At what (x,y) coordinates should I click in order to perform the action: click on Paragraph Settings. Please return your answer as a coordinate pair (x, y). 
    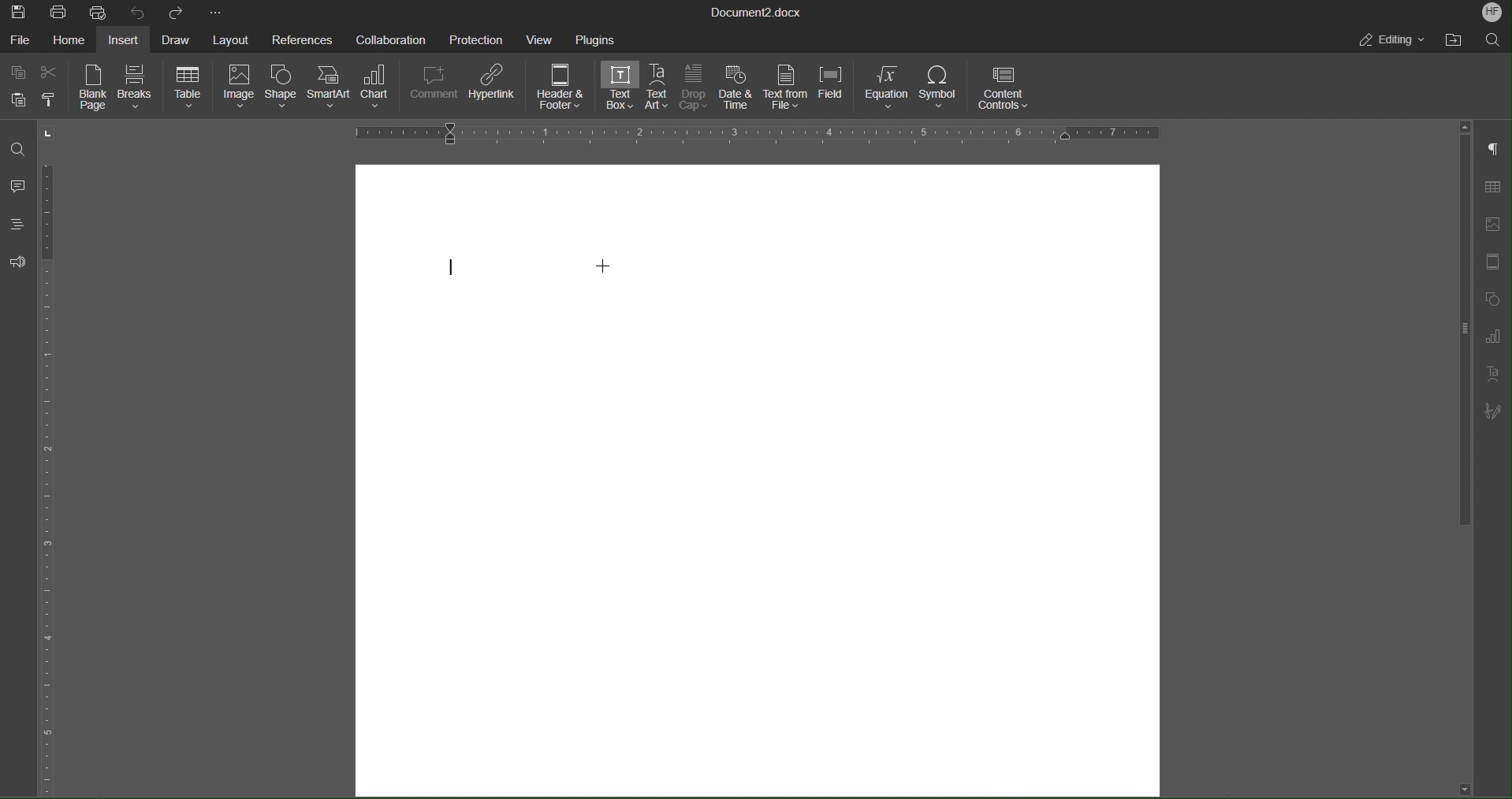
    Looking at the image, I should click on (1493, 150).